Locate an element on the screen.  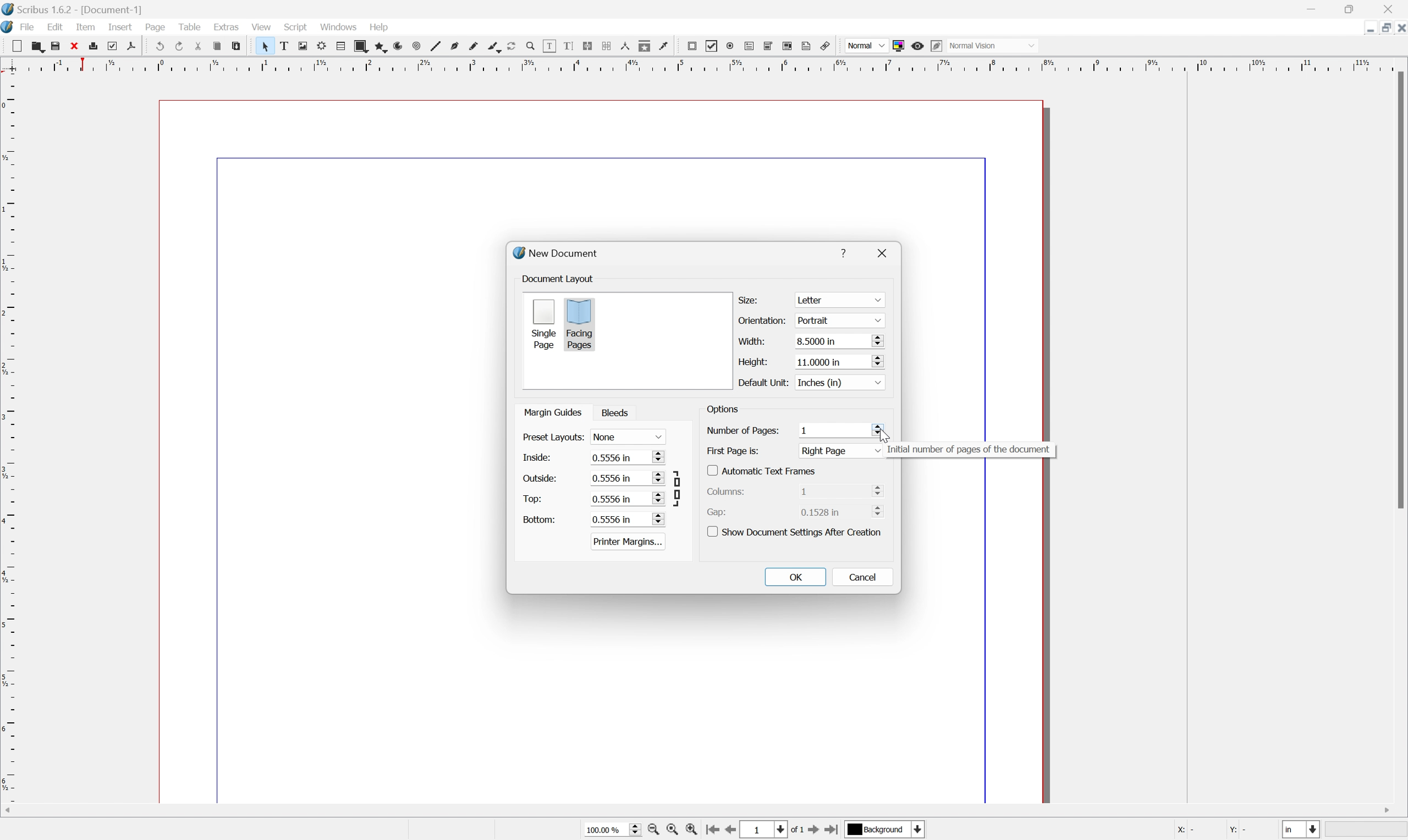
document layout is located at coordinates (559, 278).